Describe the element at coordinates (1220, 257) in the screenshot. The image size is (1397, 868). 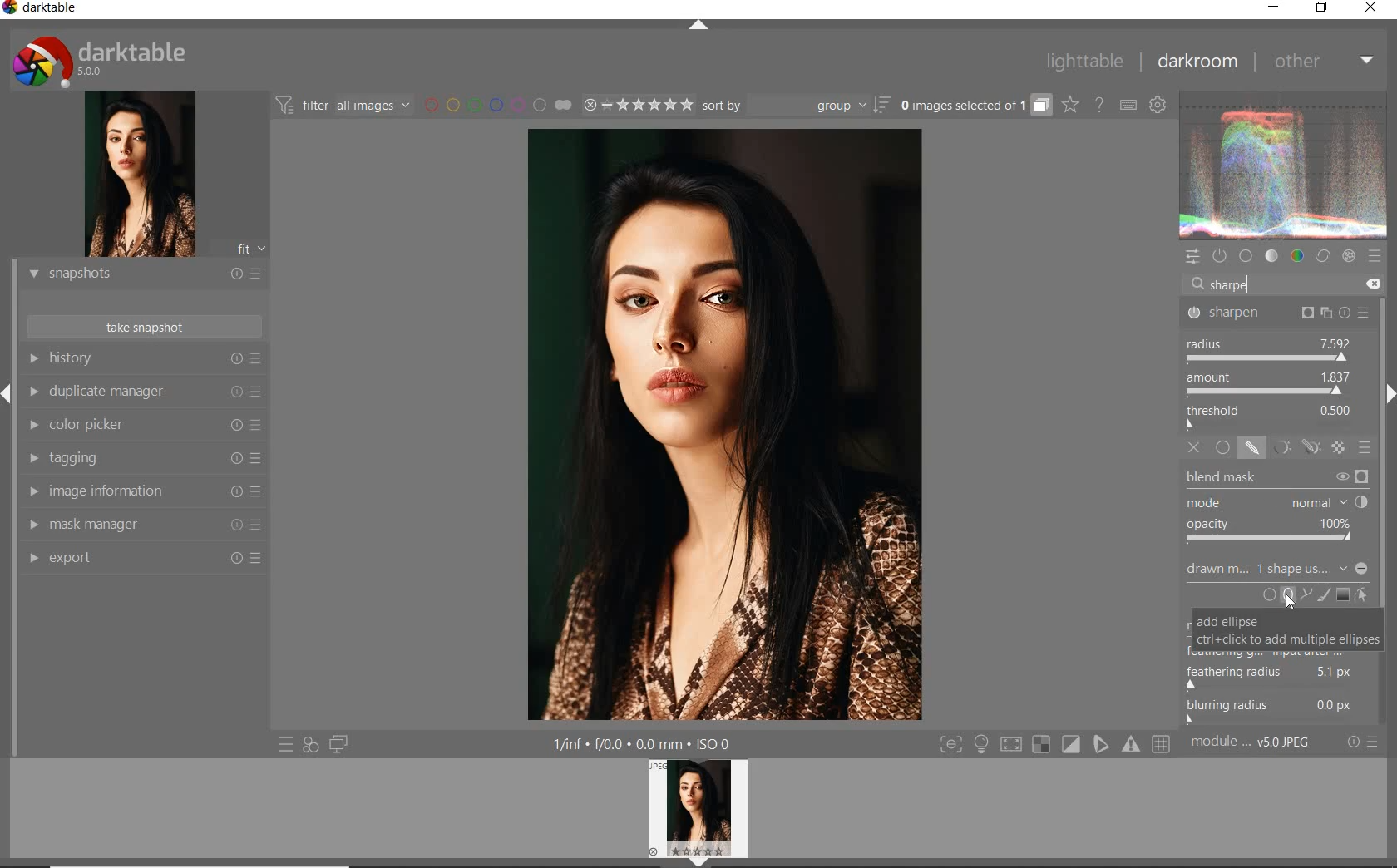
I see `show only active modules` at that location.